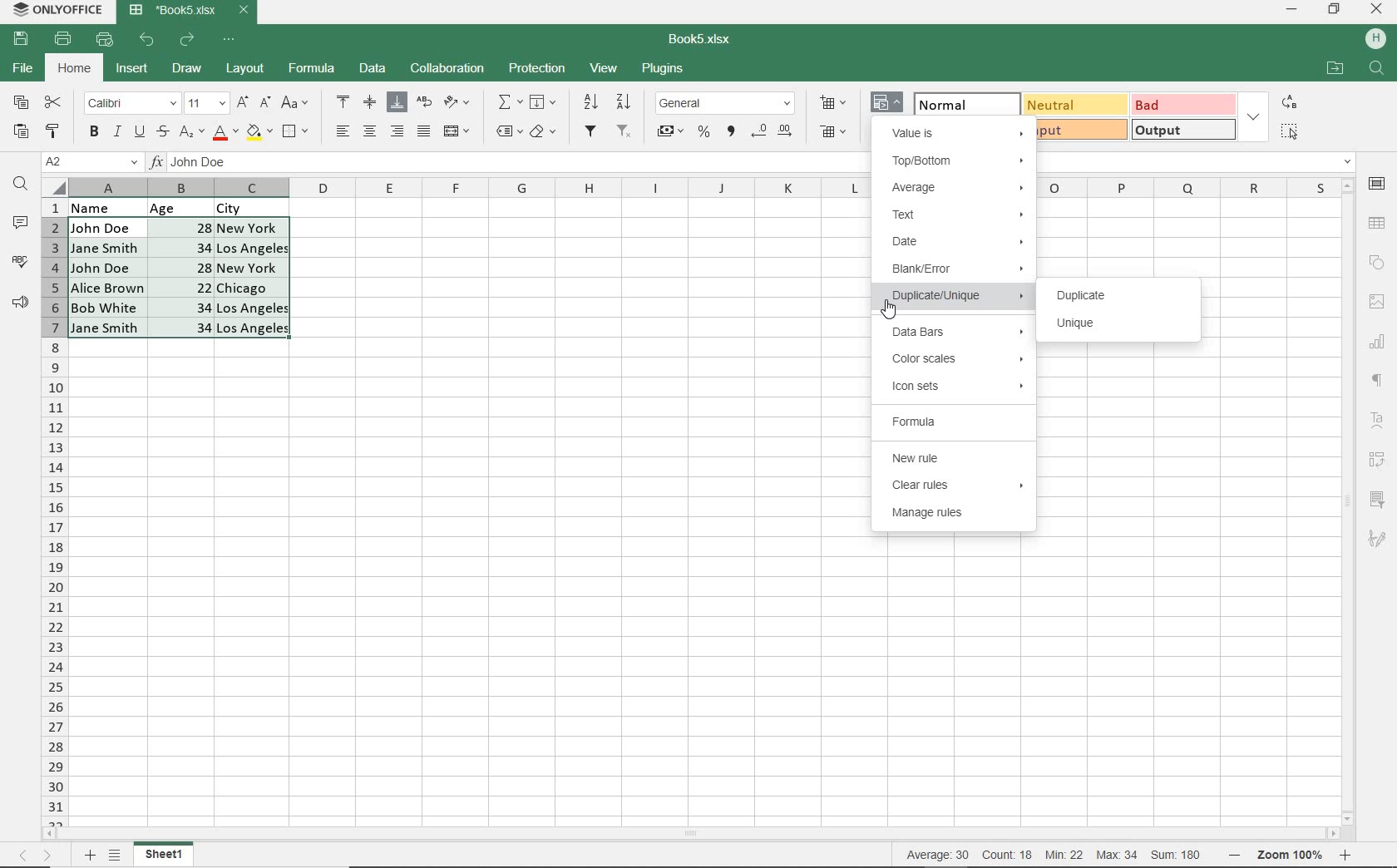  What do you see at coordinates (190, 131) in the screenshot?
I see `SUBSCRIPT/SUPERSCRIPT` at bounding box center [190, 131].